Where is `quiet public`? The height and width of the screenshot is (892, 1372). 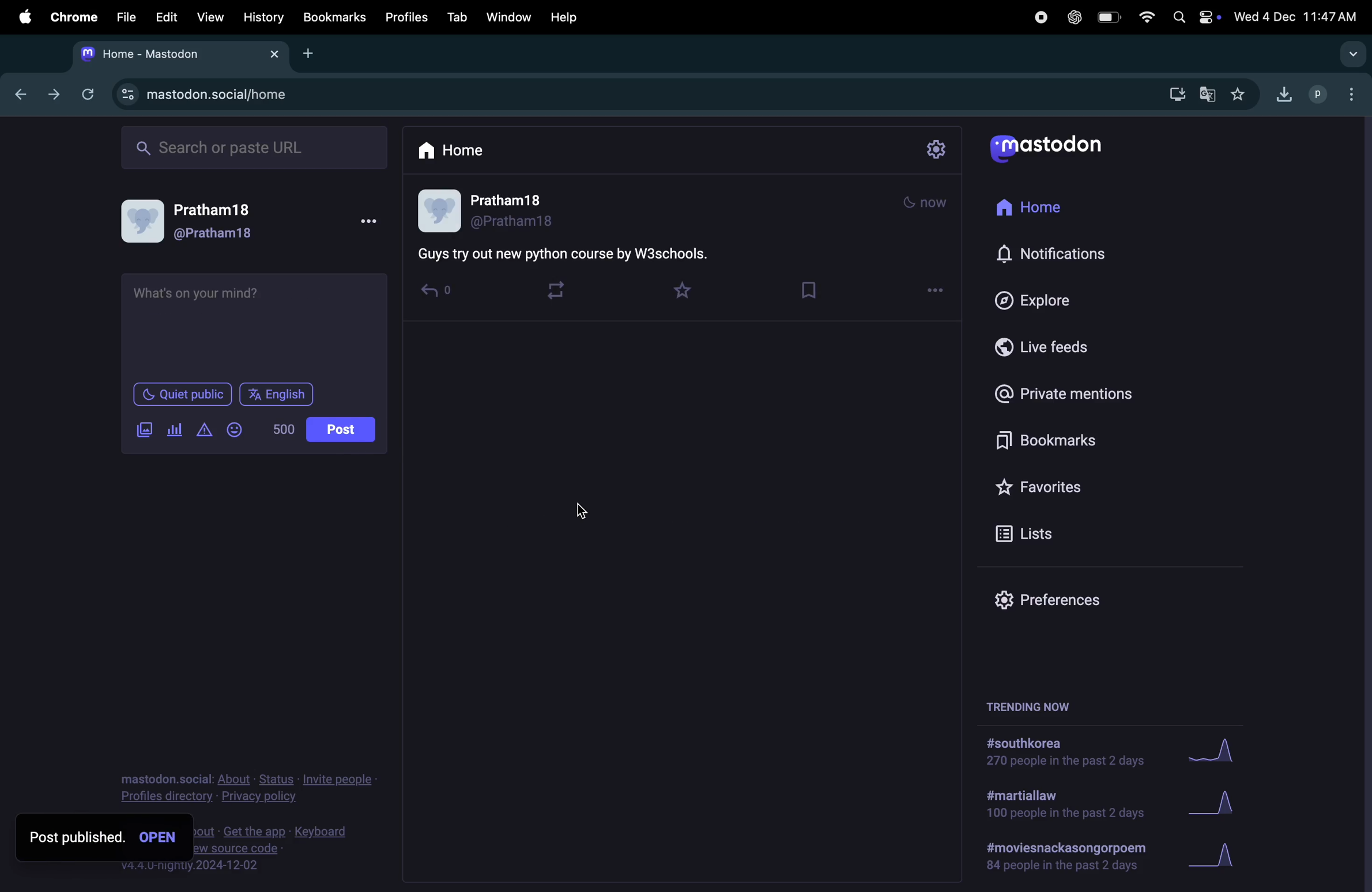
quiet public is located at coordinates (181, 394).